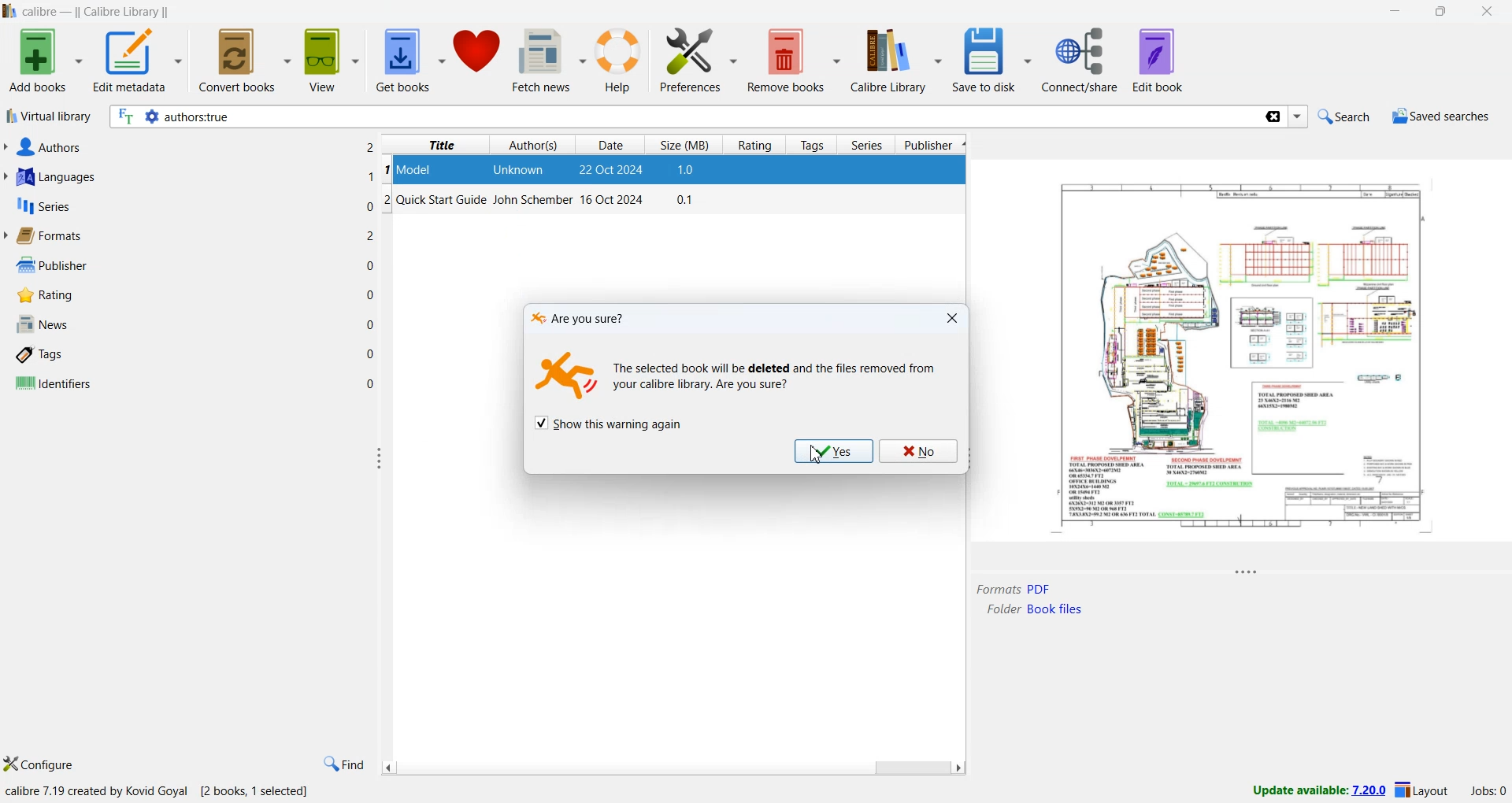  Describe the element at coordinates (699, 61) in the screenshot. I see `preferences` at that location.